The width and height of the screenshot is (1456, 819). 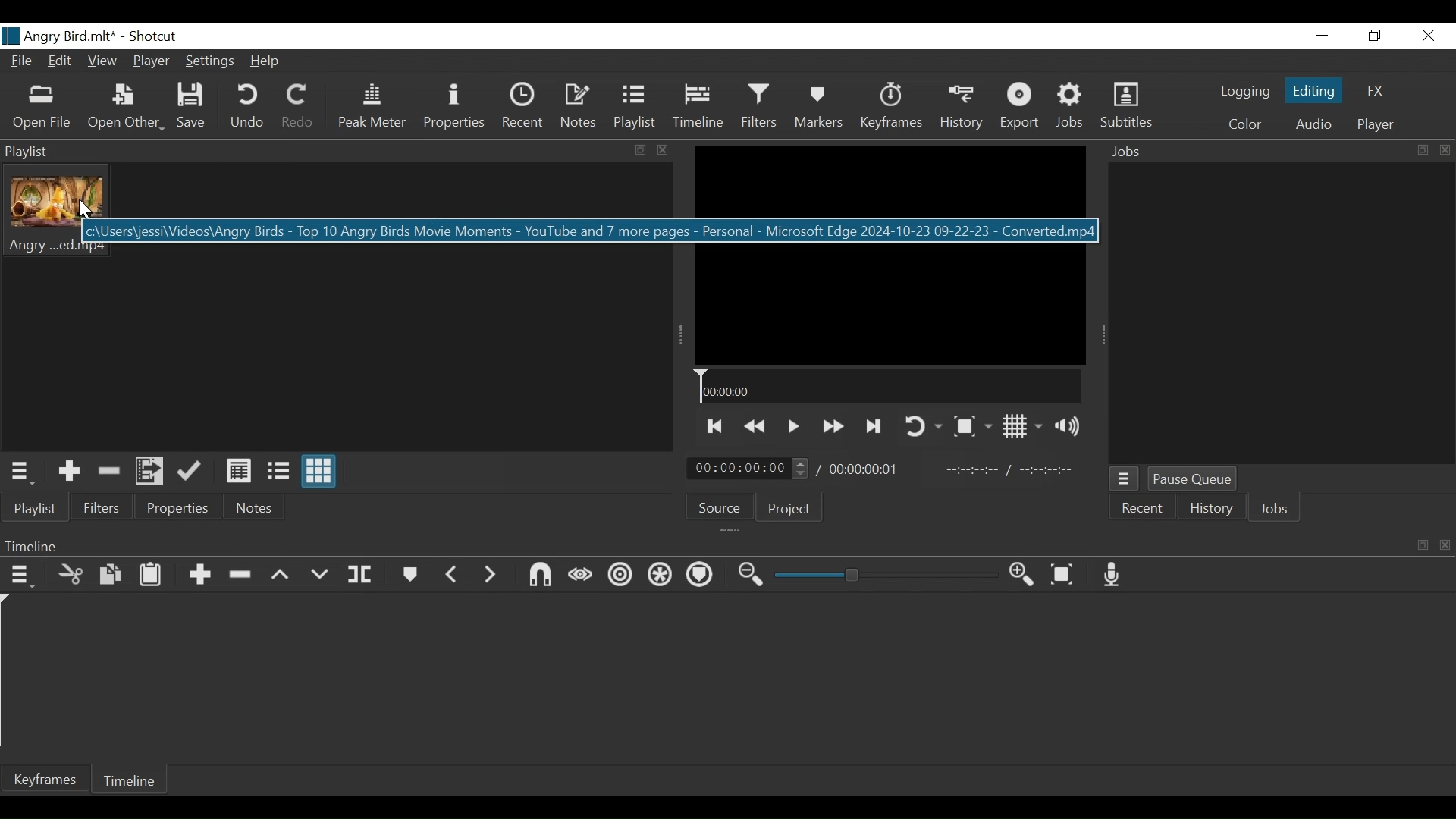 What do you see at coordinates (320, 472) in the screenshot?
I see `View as icons` at bounding box center [320, 472].